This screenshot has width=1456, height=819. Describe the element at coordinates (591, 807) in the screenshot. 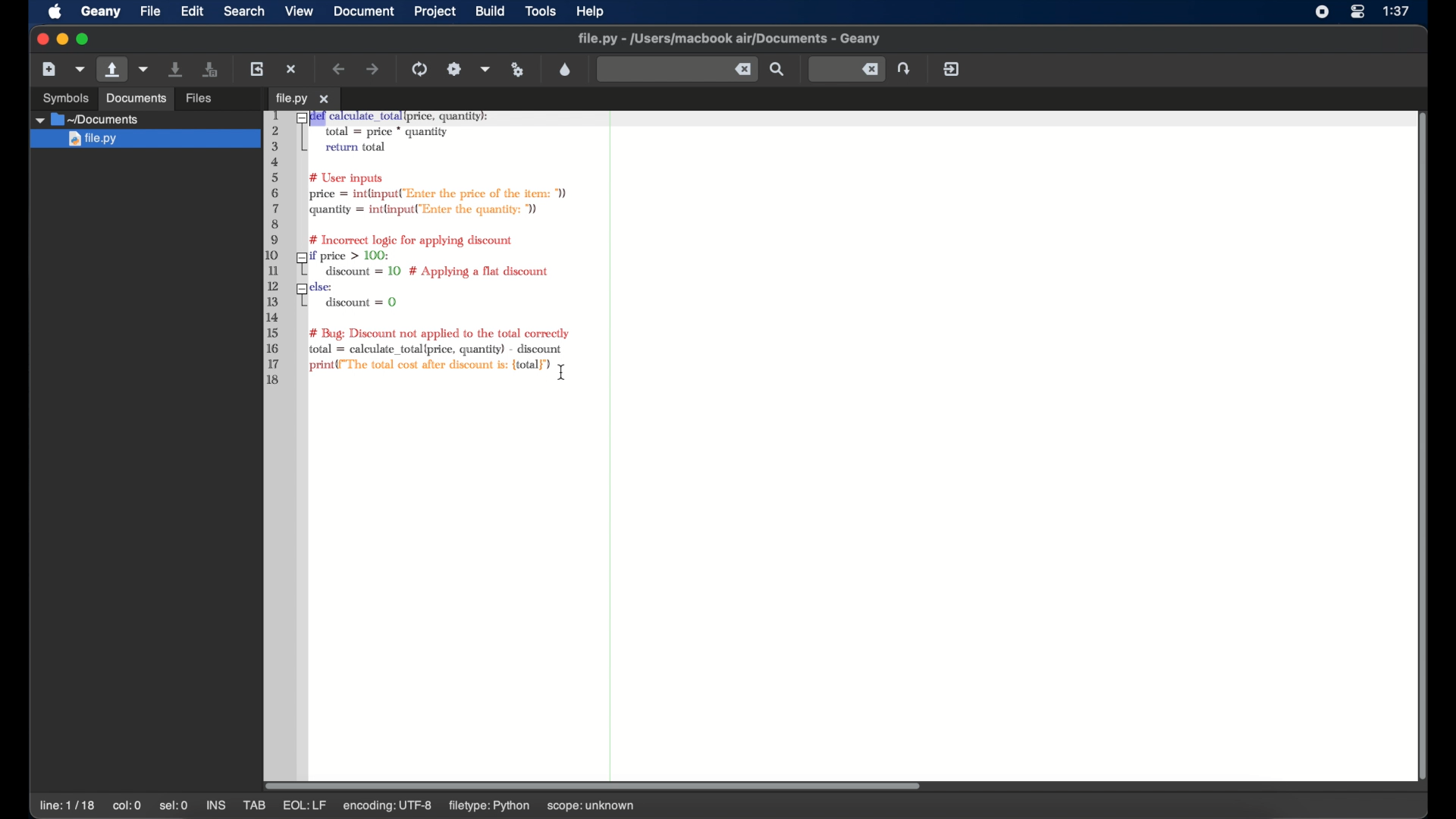

I see `scope: unknown` at that location.